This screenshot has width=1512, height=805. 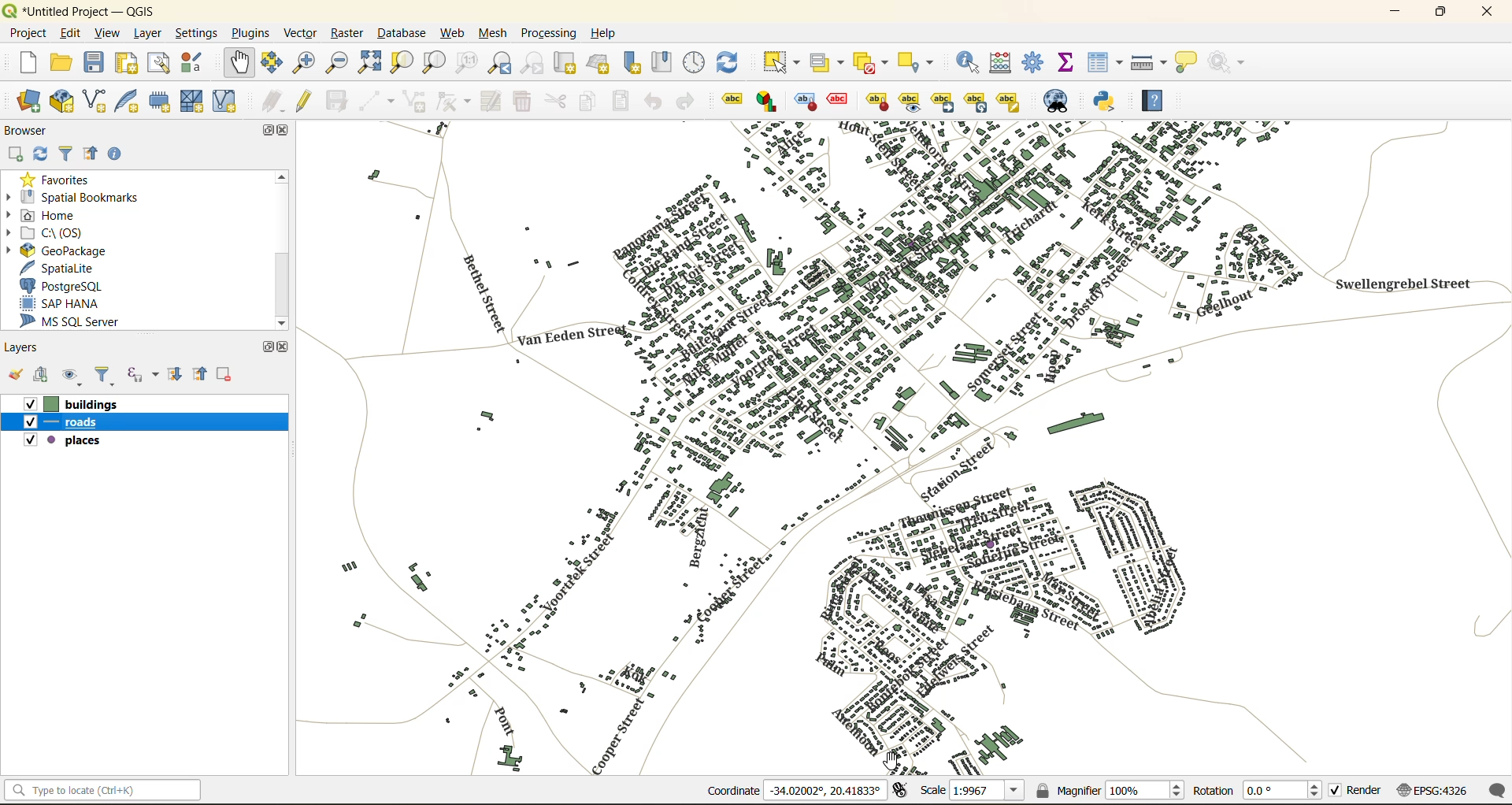 What do you see at coordinates (91, 153) in the screenshot?
I see `collapse all` at bounding box center [91, 153].